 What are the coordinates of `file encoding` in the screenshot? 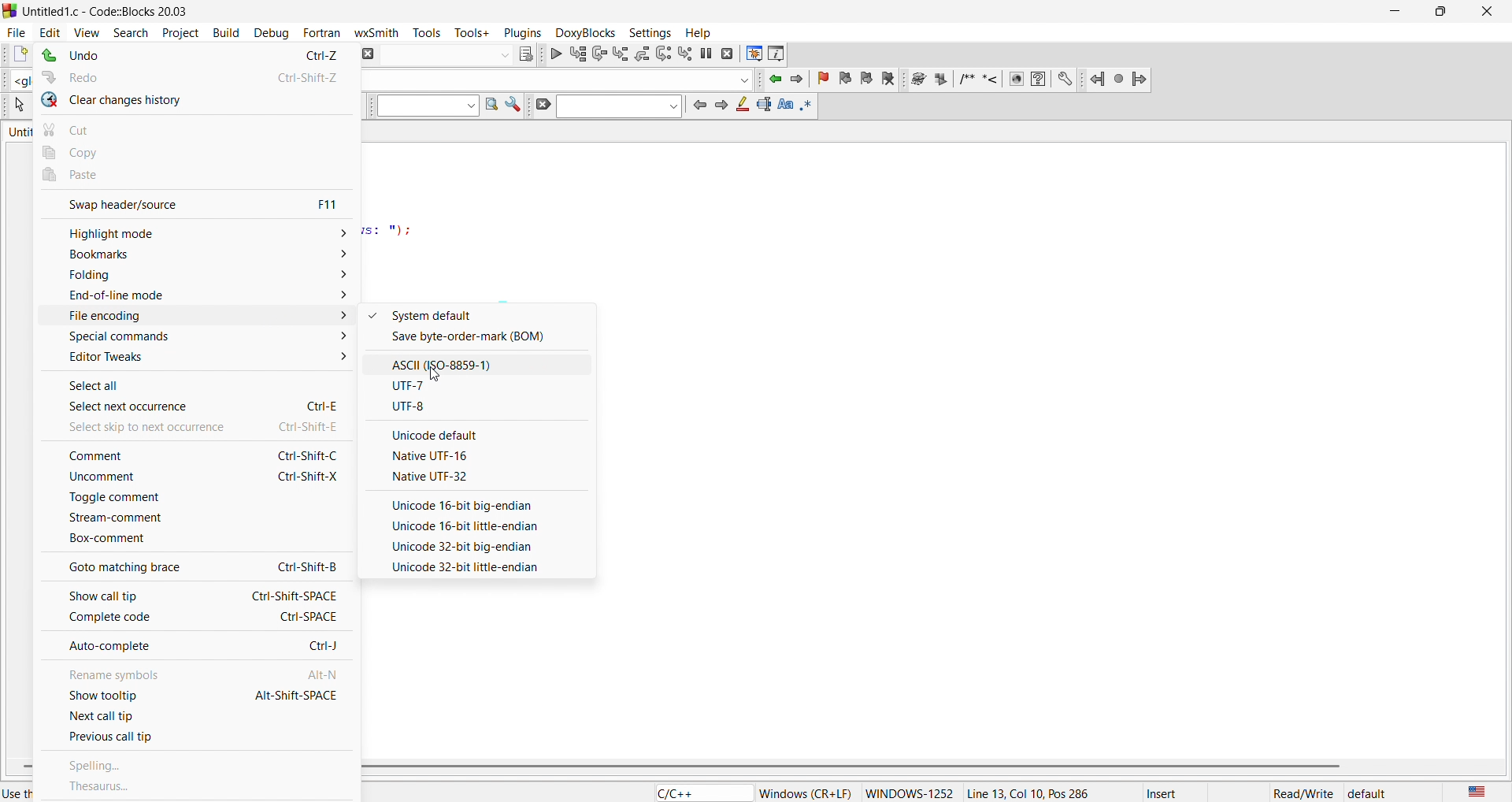 It's located at (198, 317).